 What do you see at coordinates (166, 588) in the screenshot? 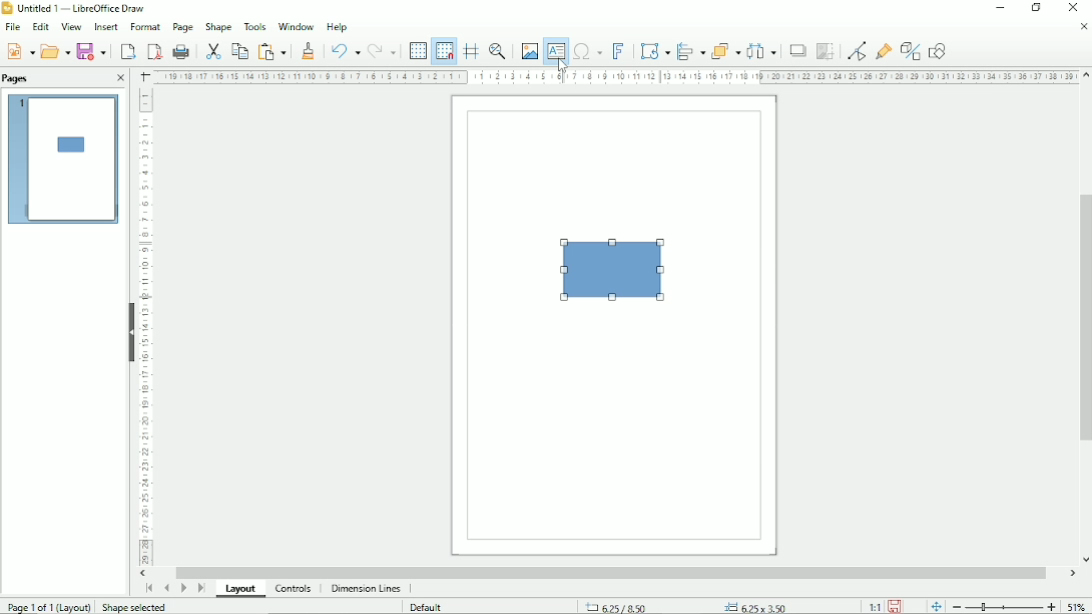
I see `Scroll to previous page` at bounding box center [166, 588].